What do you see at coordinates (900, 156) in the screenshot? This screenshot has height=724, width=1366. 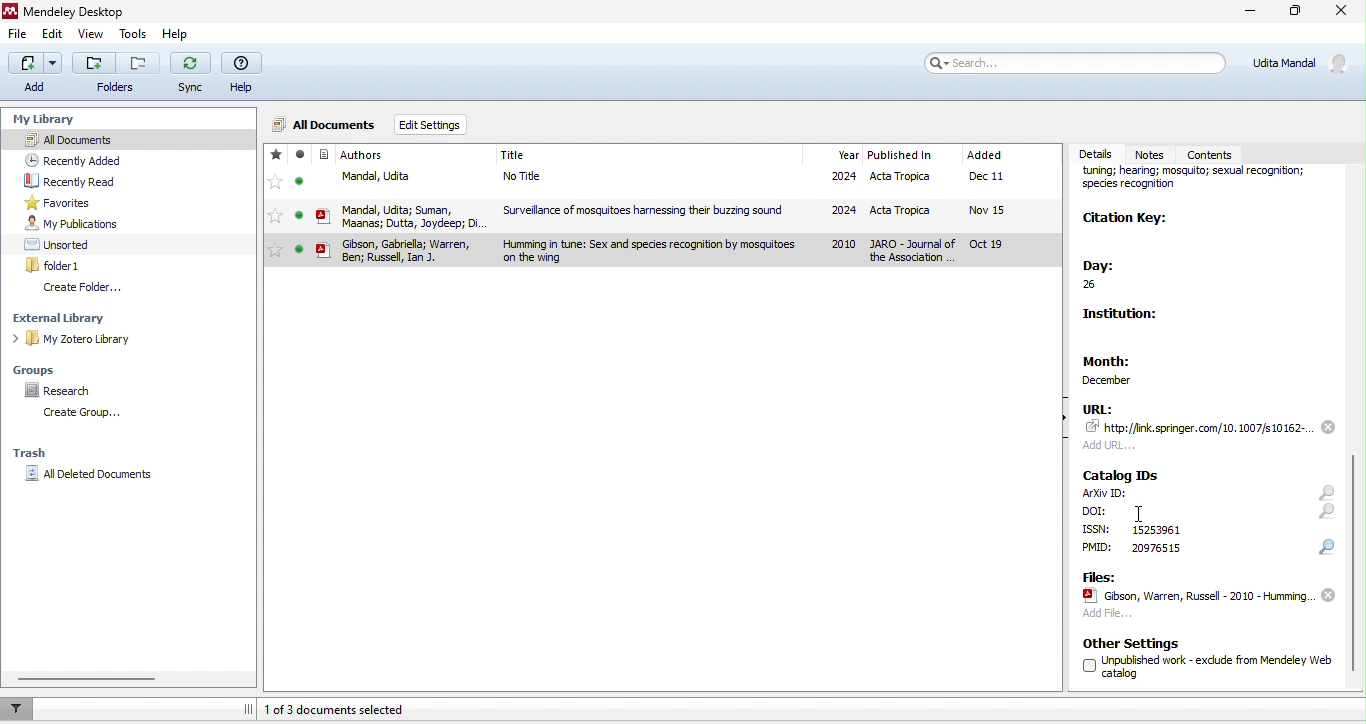 I see `published in` at bounding box center [900, 156].